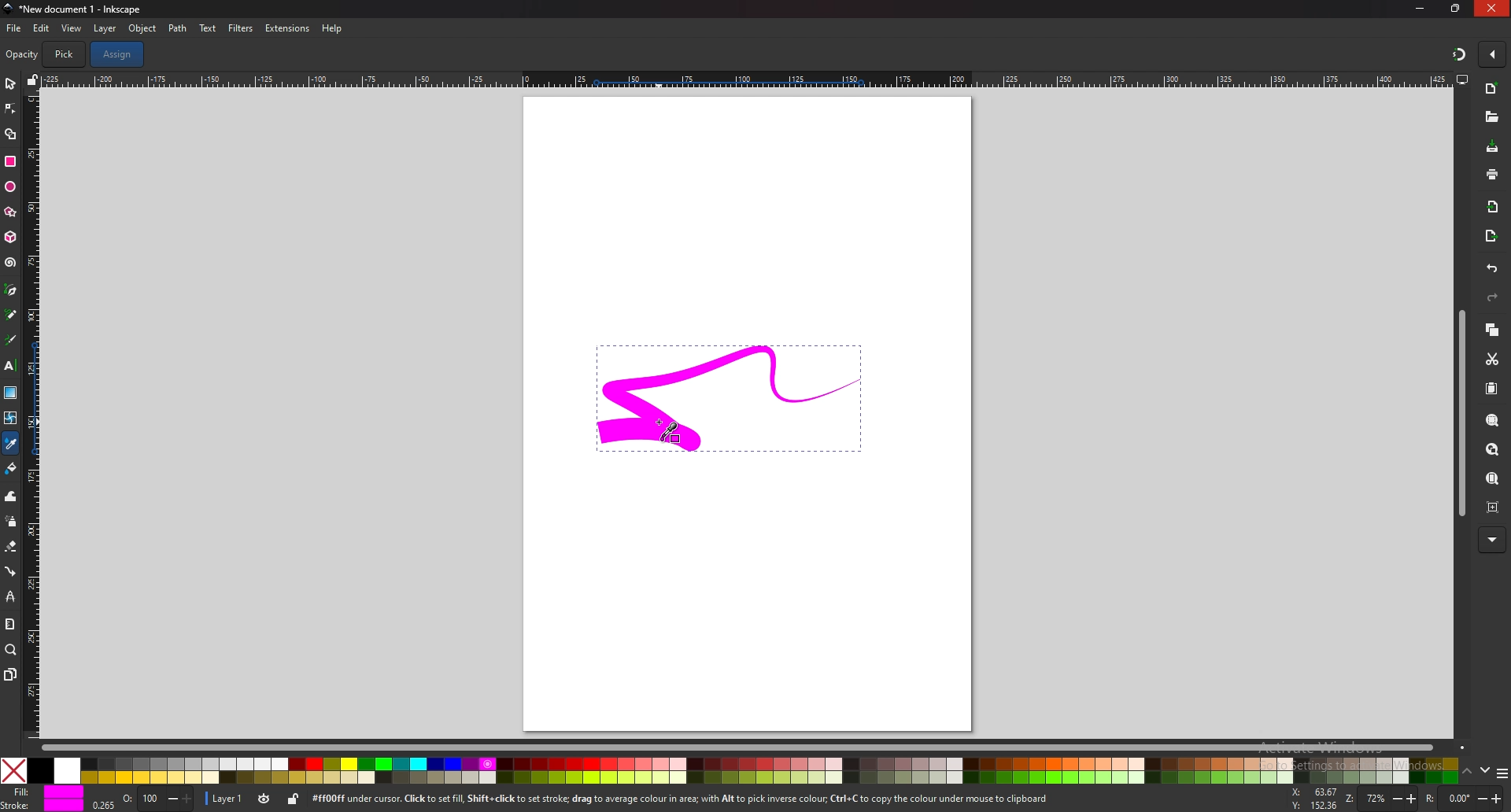  What do you see at coordinates (11, 597) in the screenshot?
I see `lpe` at bounding box center [11, 597].